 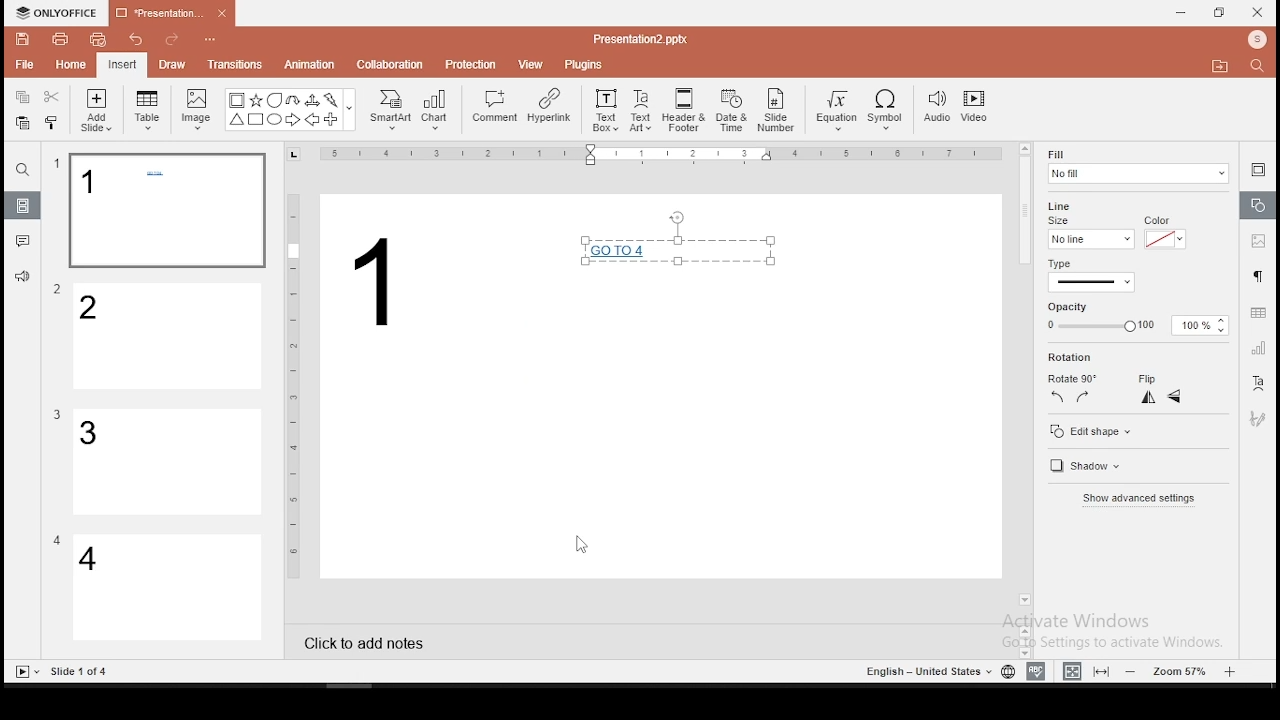 I want to click on , so click(x=294, y=384).